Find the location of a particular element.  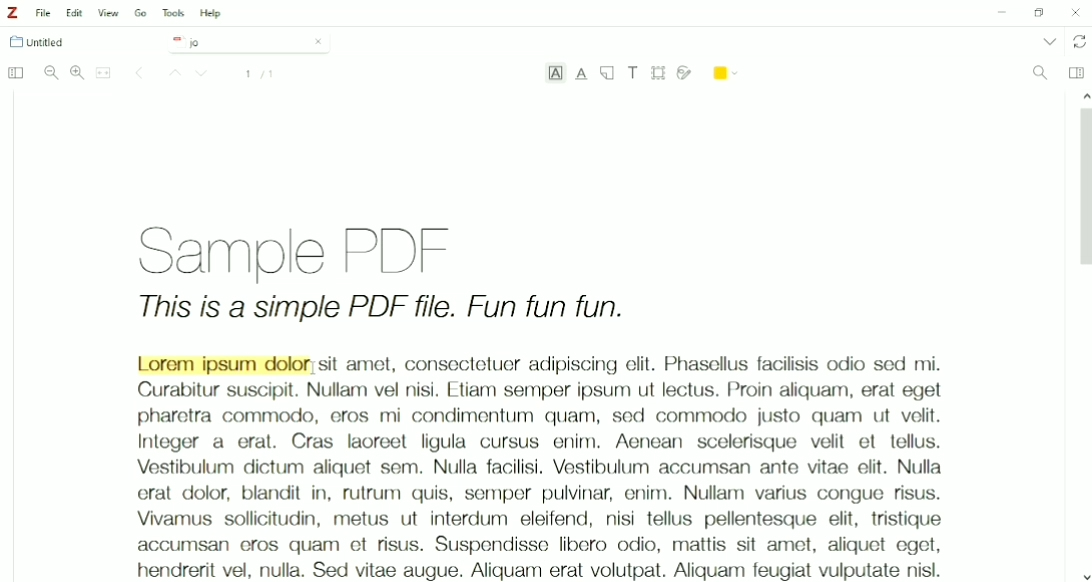

Highlight Text is located at coordinates (555, 75).